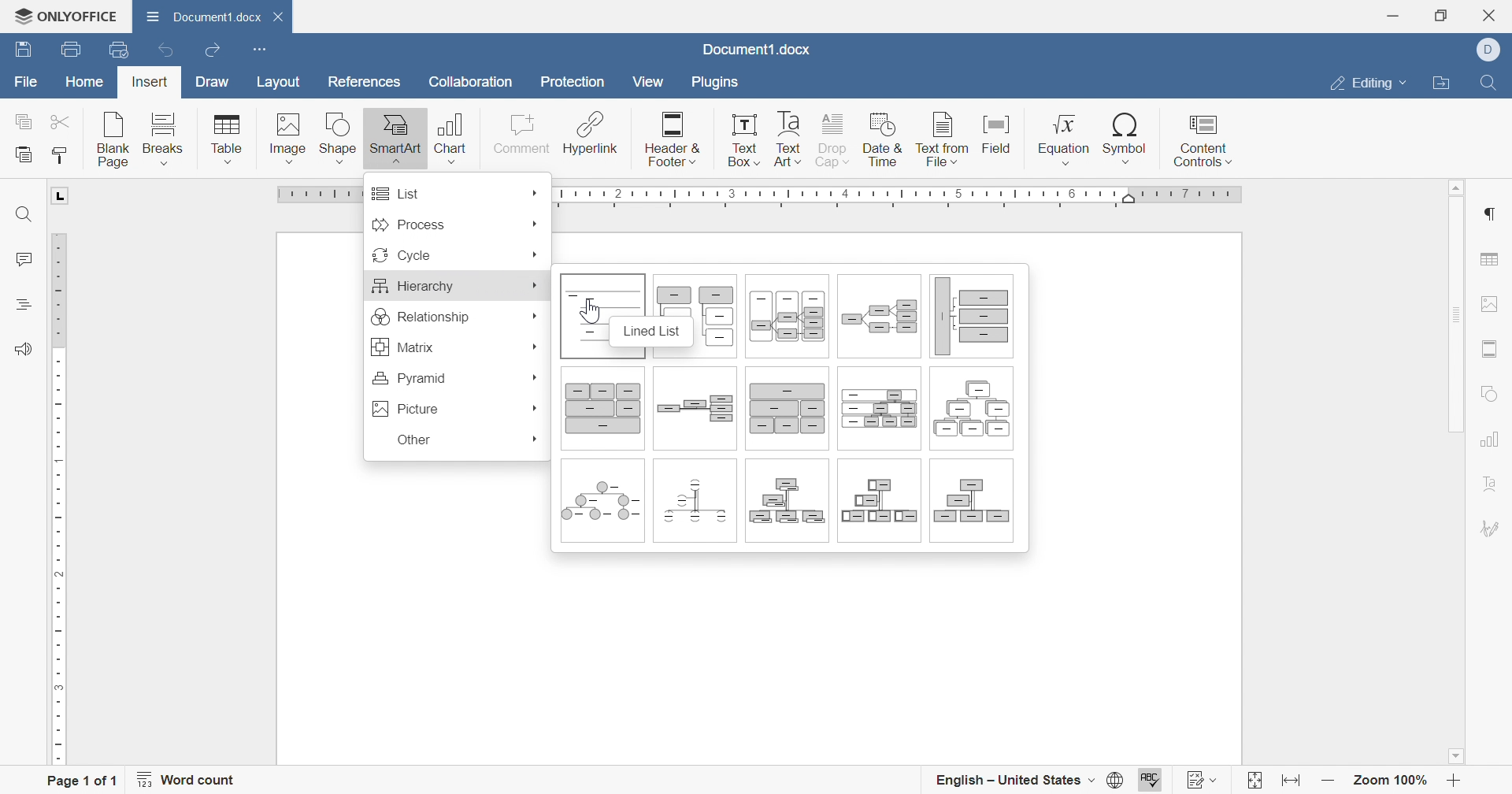 Image resolution: width=1512 pixels, height=794 pixels. I want to click on Horizontal hierarchy, so click(883, 319).